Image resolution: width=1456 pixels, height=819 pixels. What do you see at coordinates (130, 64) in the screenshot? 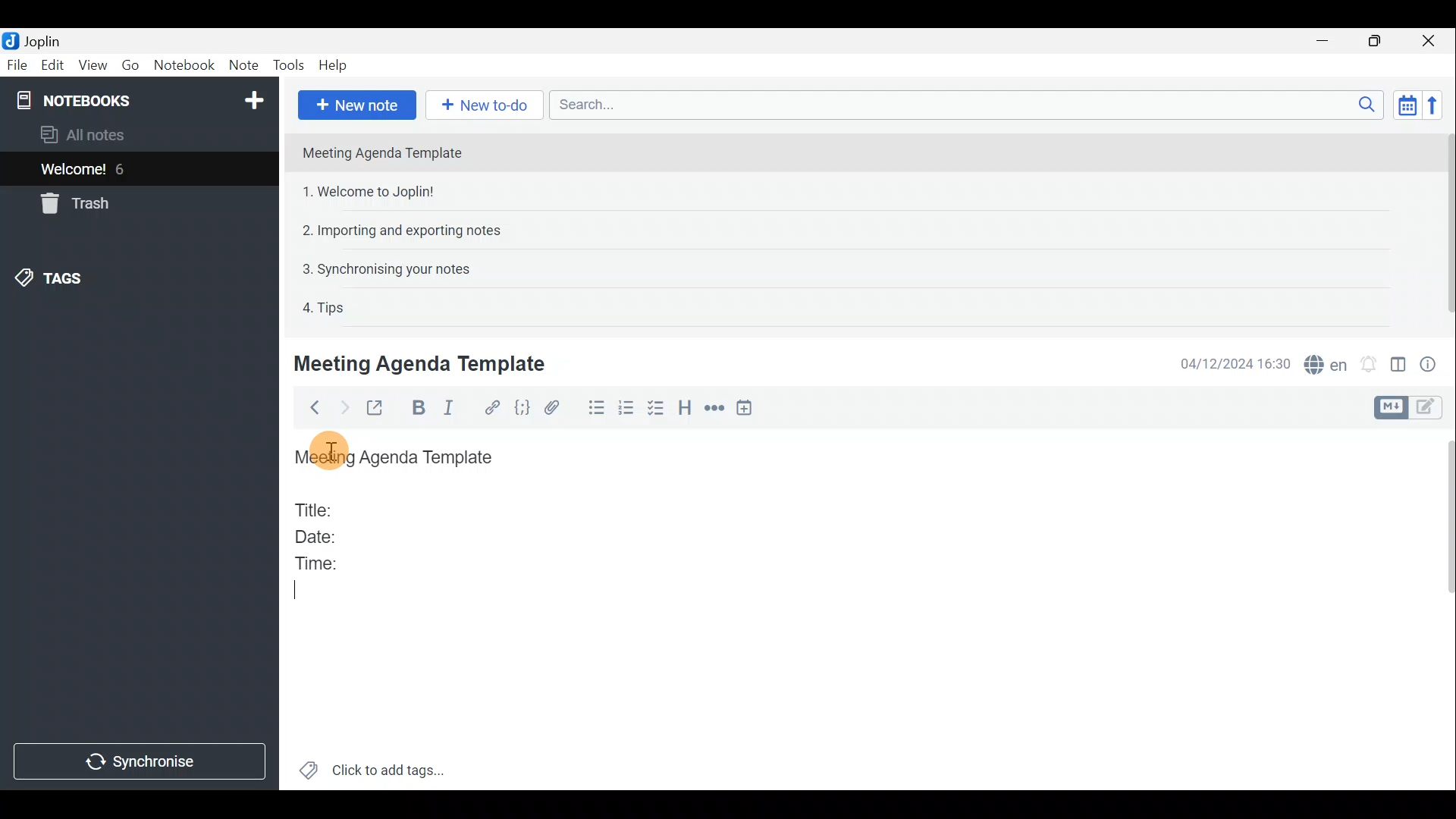
I see `Go` at bounding box center [130, 64].